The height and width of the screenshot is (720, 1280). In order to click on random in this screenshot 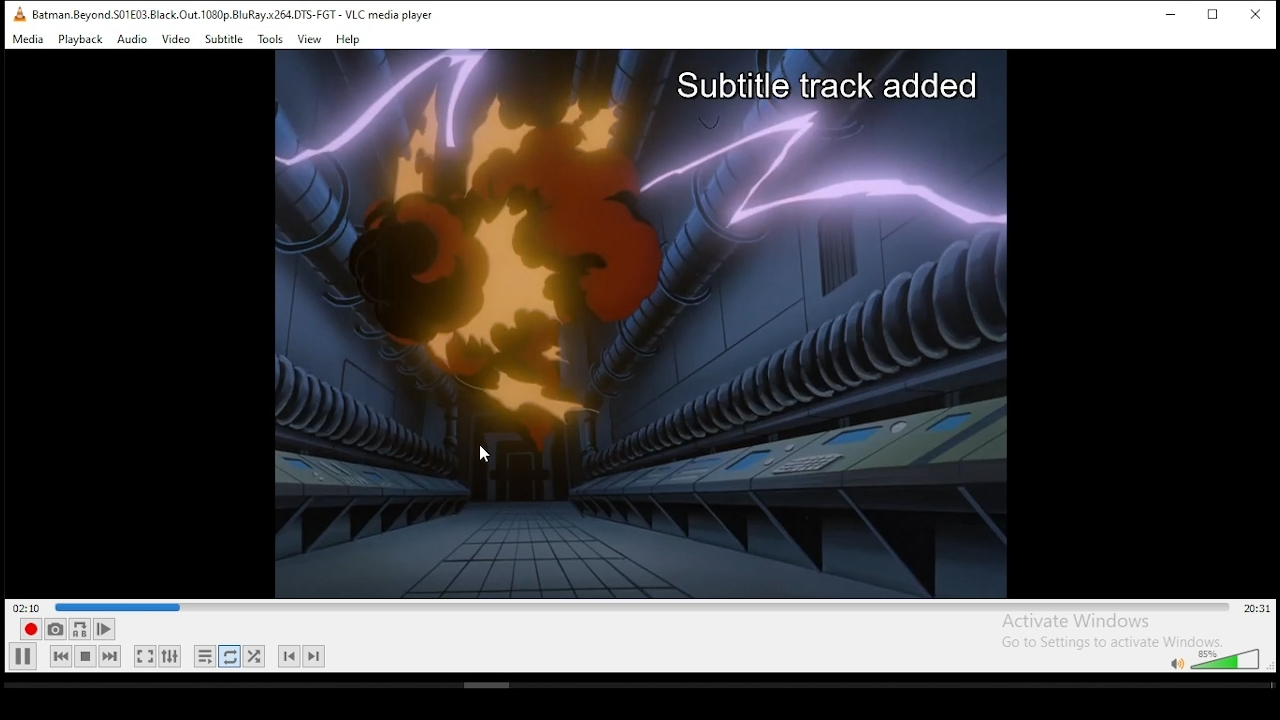, I will do `click(254, 656)`.